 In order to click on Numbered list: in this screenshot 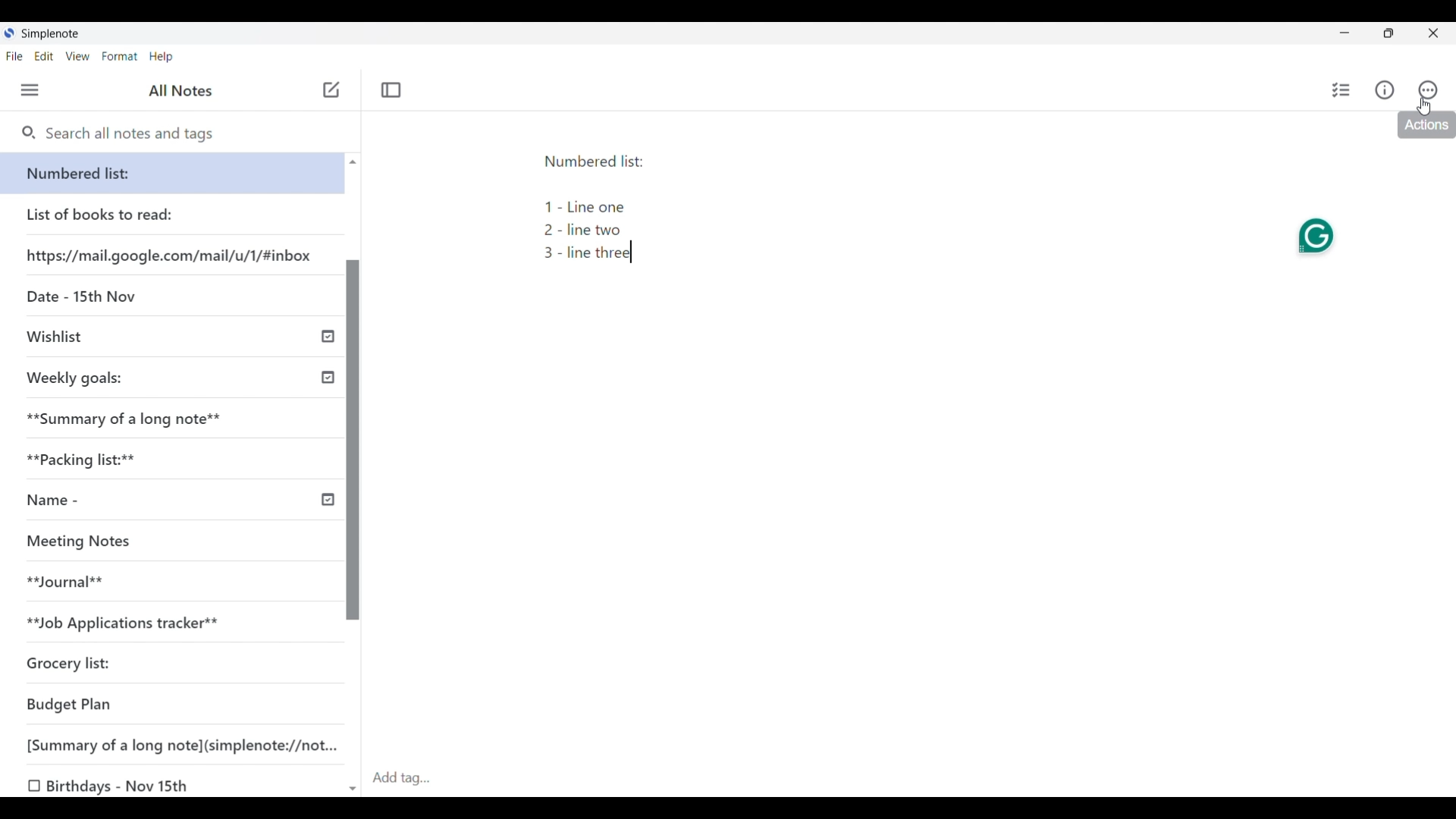, I will do `click(174, 173)`.